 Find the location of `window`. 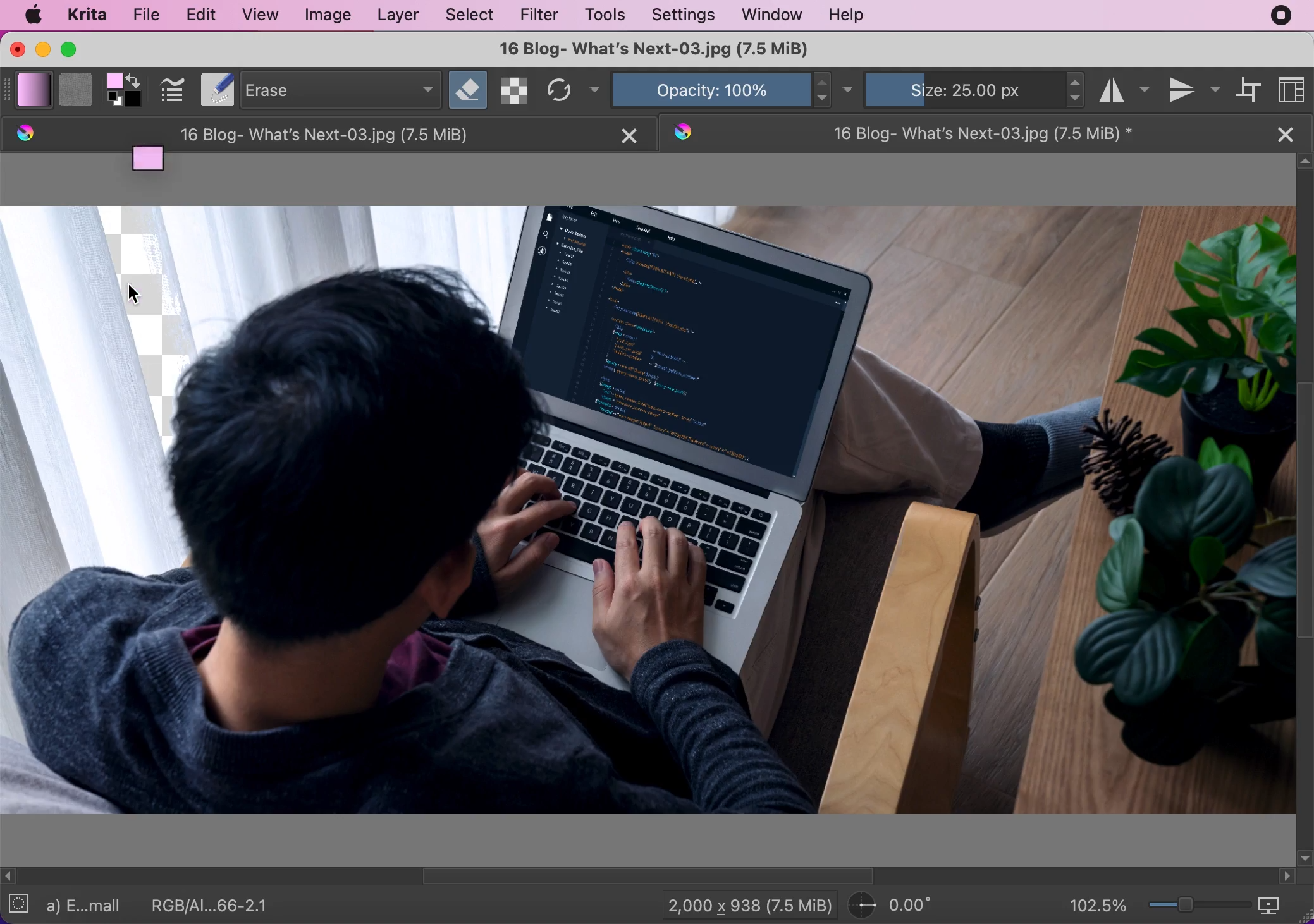

window is located at coordinates (773, 15).